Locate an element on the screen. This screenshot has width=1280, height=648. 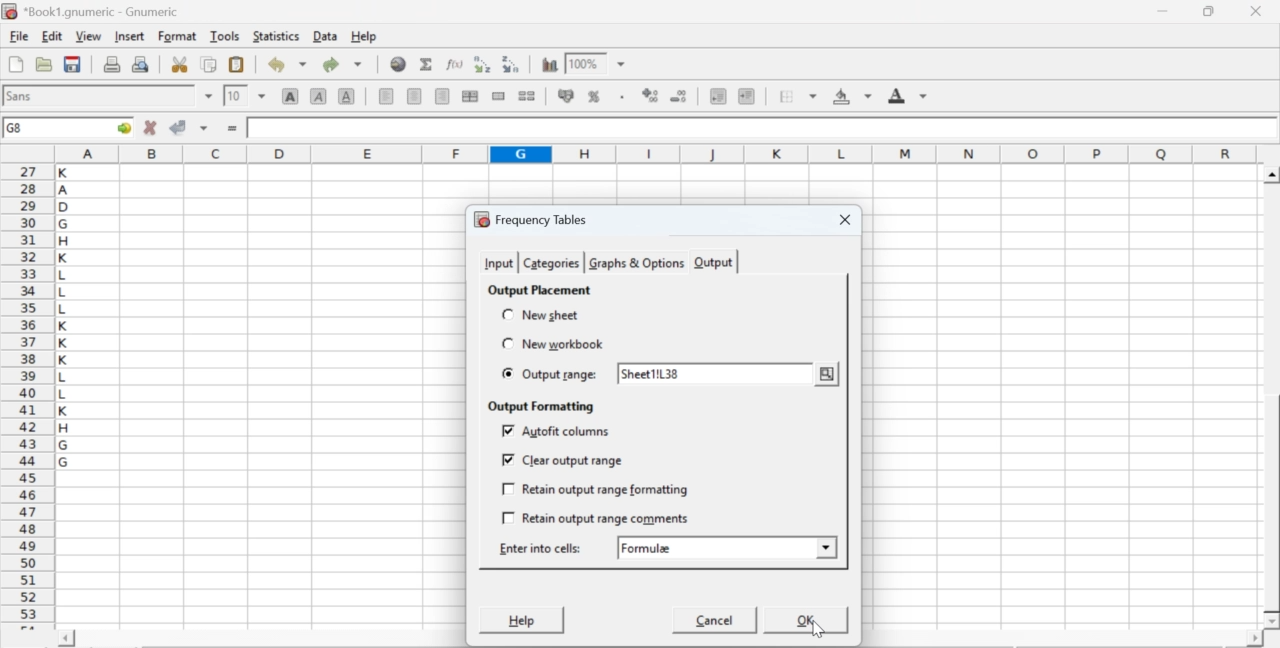
drop down is located at coordinates (826, 545).